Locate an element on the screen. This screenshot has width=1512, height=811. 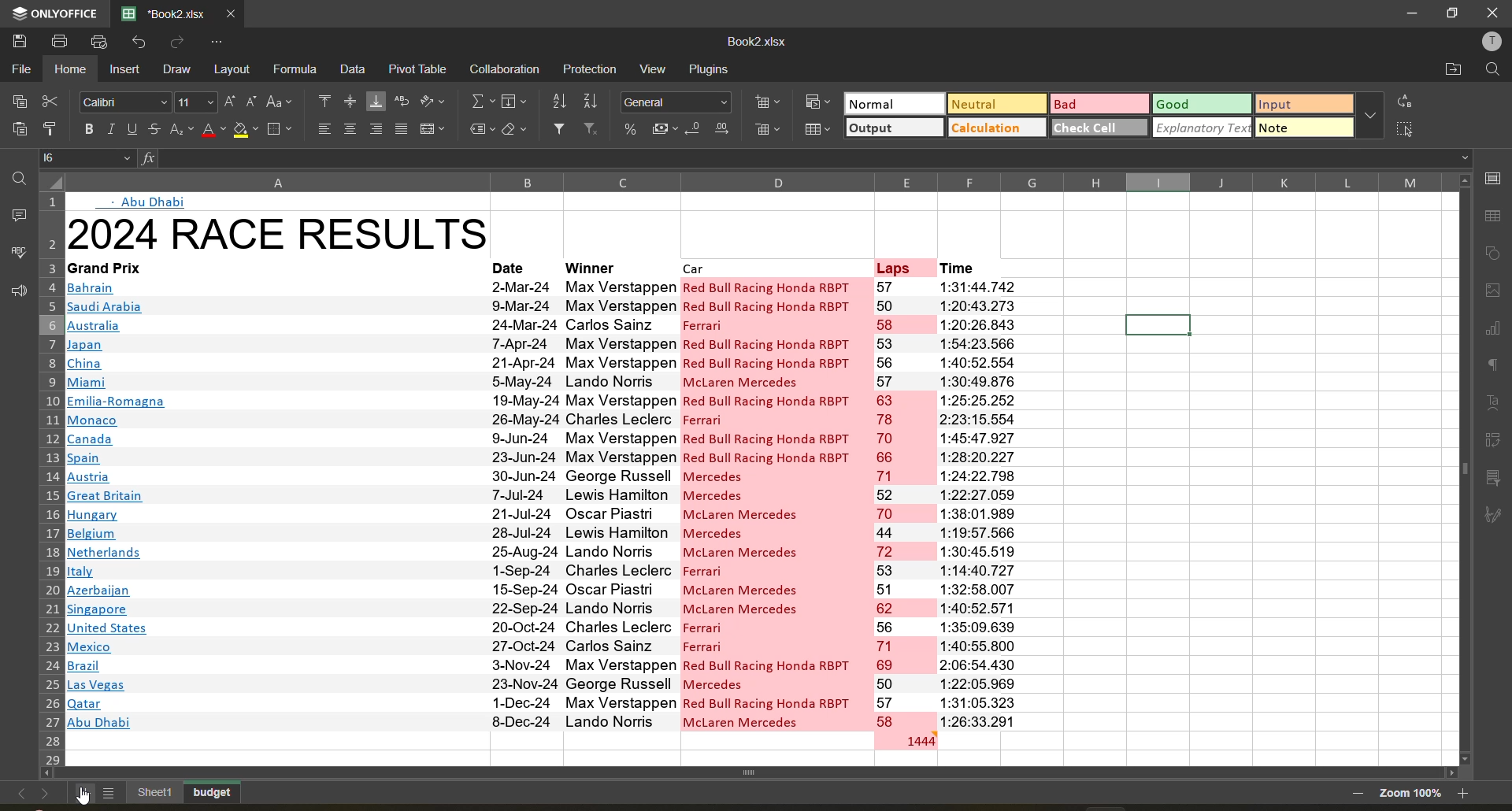
car is located at coordinates (767, 265).